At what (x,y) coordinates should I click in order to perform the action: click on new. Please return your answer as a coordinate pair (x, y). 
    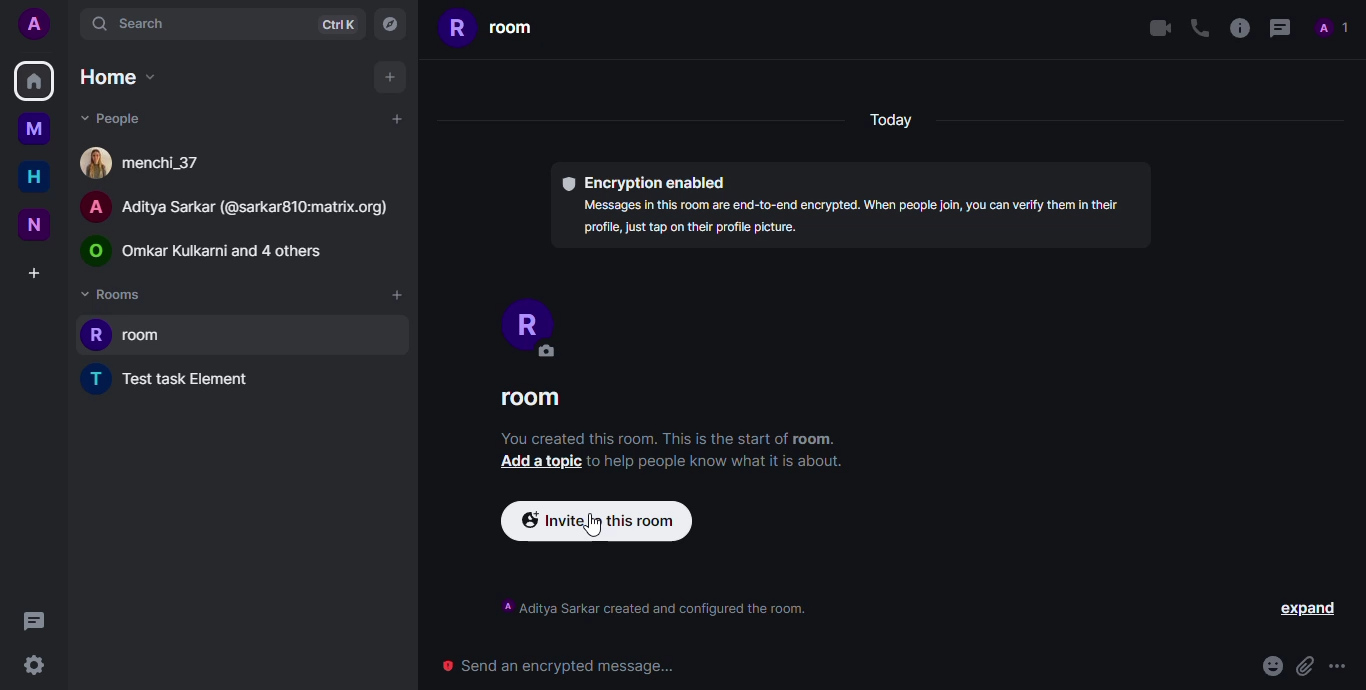
    Looking at the image, I should click on (35, 223).